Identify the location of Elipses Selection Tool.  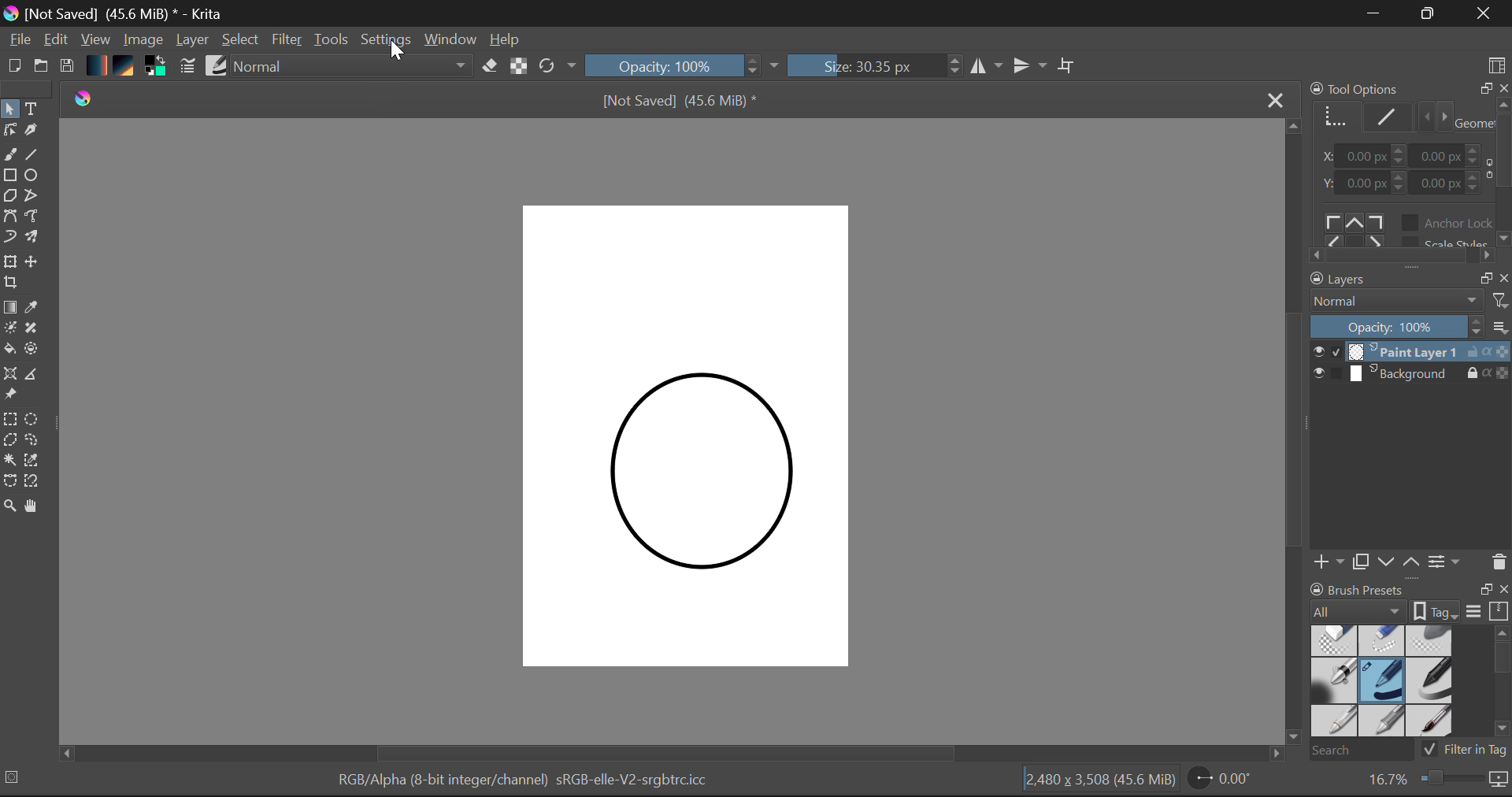
(34, 418).